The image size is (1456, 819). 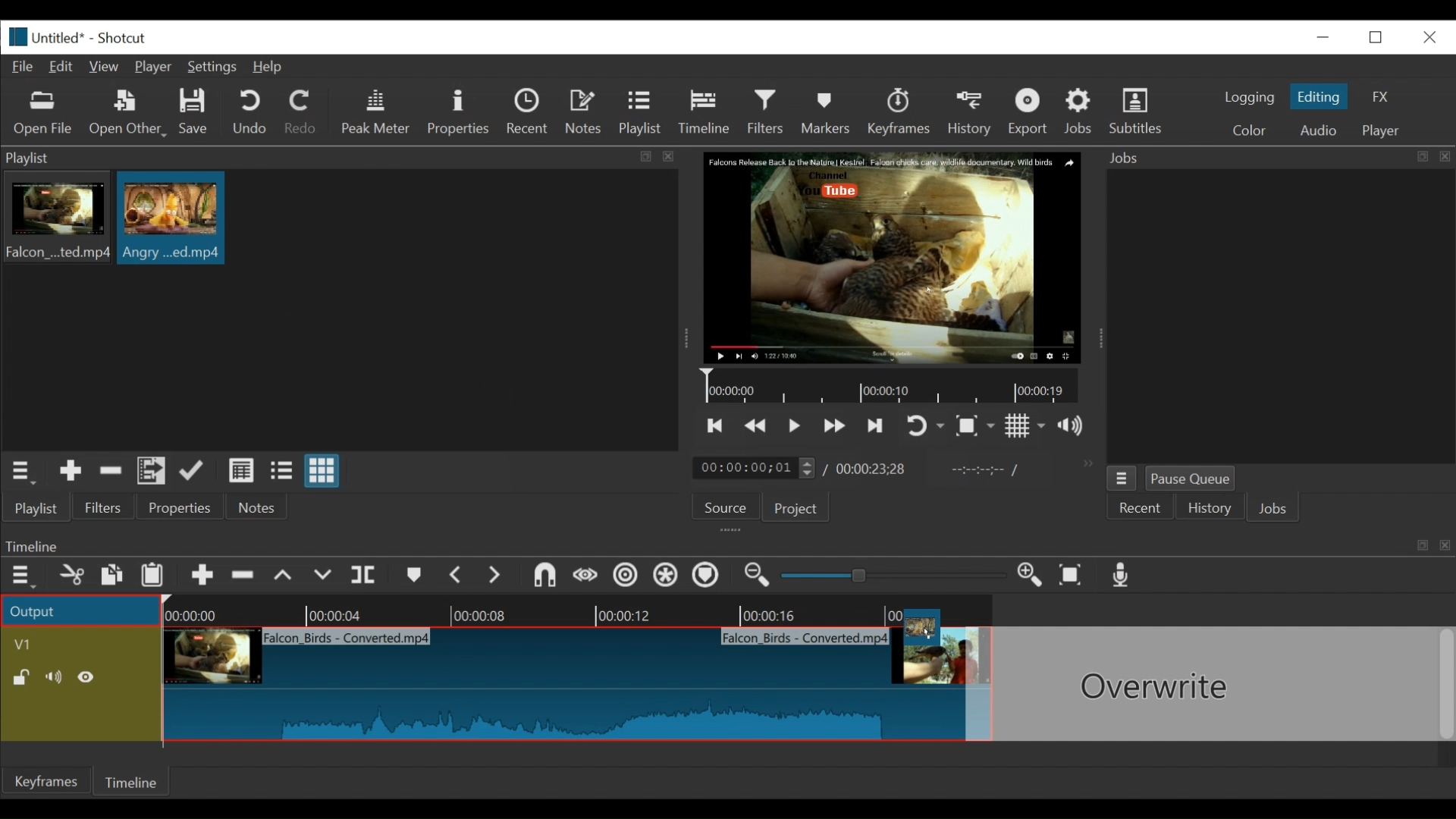 What do you see at coordinates (981, 472) in the screenshot?
I see `in point` at bounding box center [981, 472].